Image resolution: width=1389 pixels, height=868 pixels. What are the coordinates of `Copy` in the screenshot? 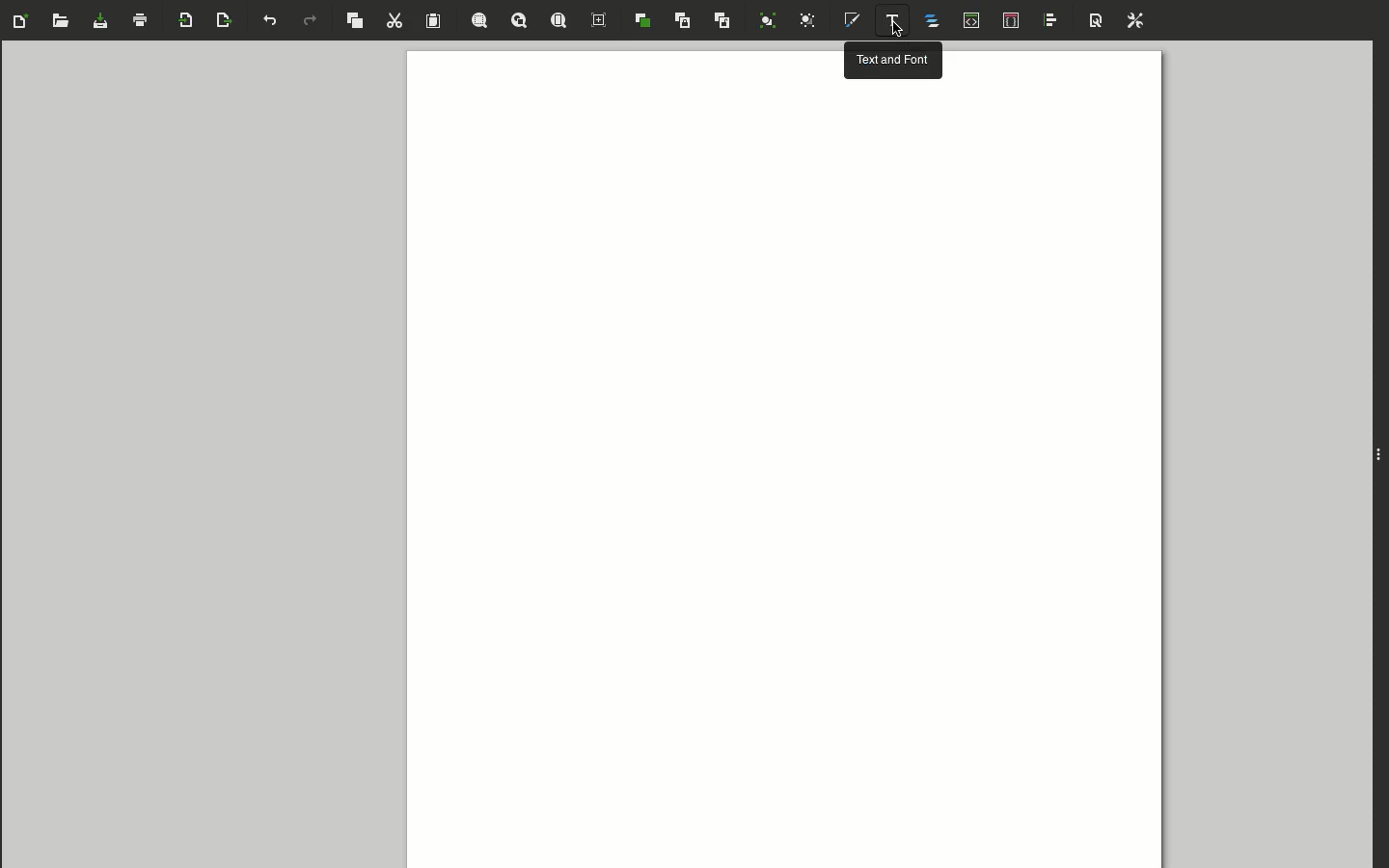 It's located at (355, 20).